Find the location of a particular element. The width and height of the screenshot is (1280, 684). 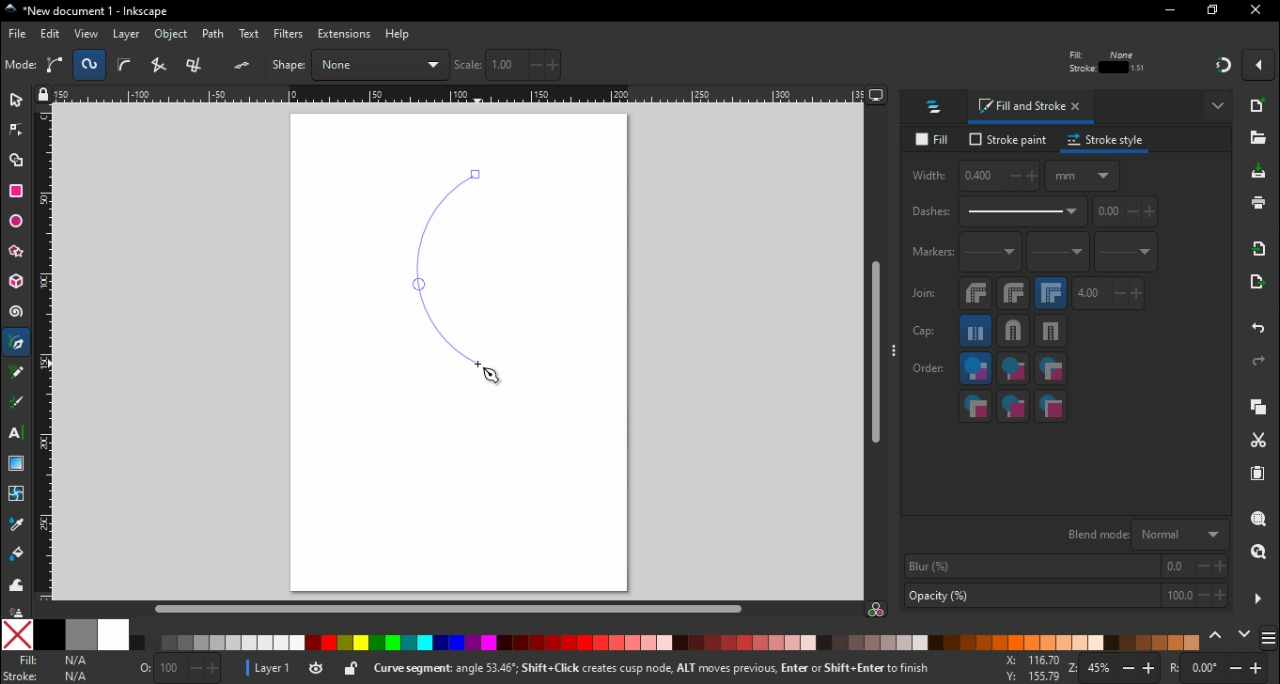

round is located at coordinates (1014, 297).